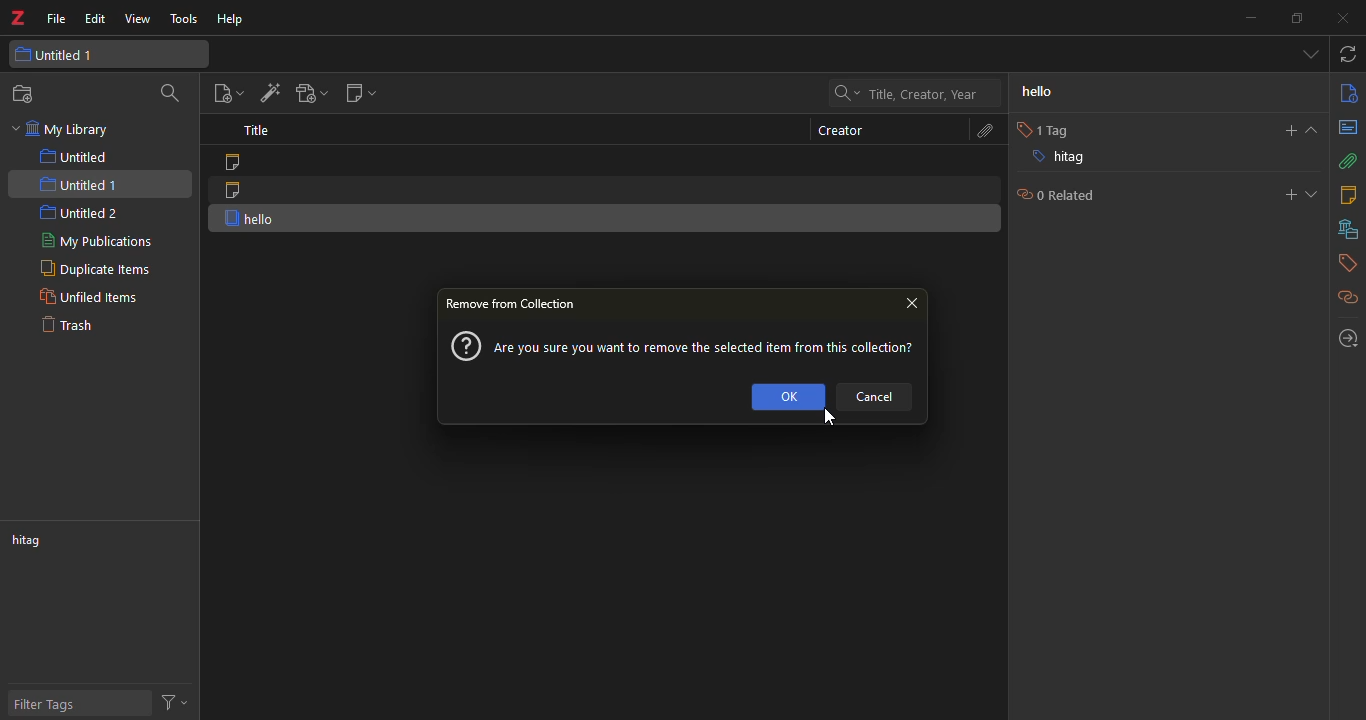 This screenshot has height=720, width=1366. Describe the element at coordinates (94, 20) in the screenshot. I see `edit` at that location.